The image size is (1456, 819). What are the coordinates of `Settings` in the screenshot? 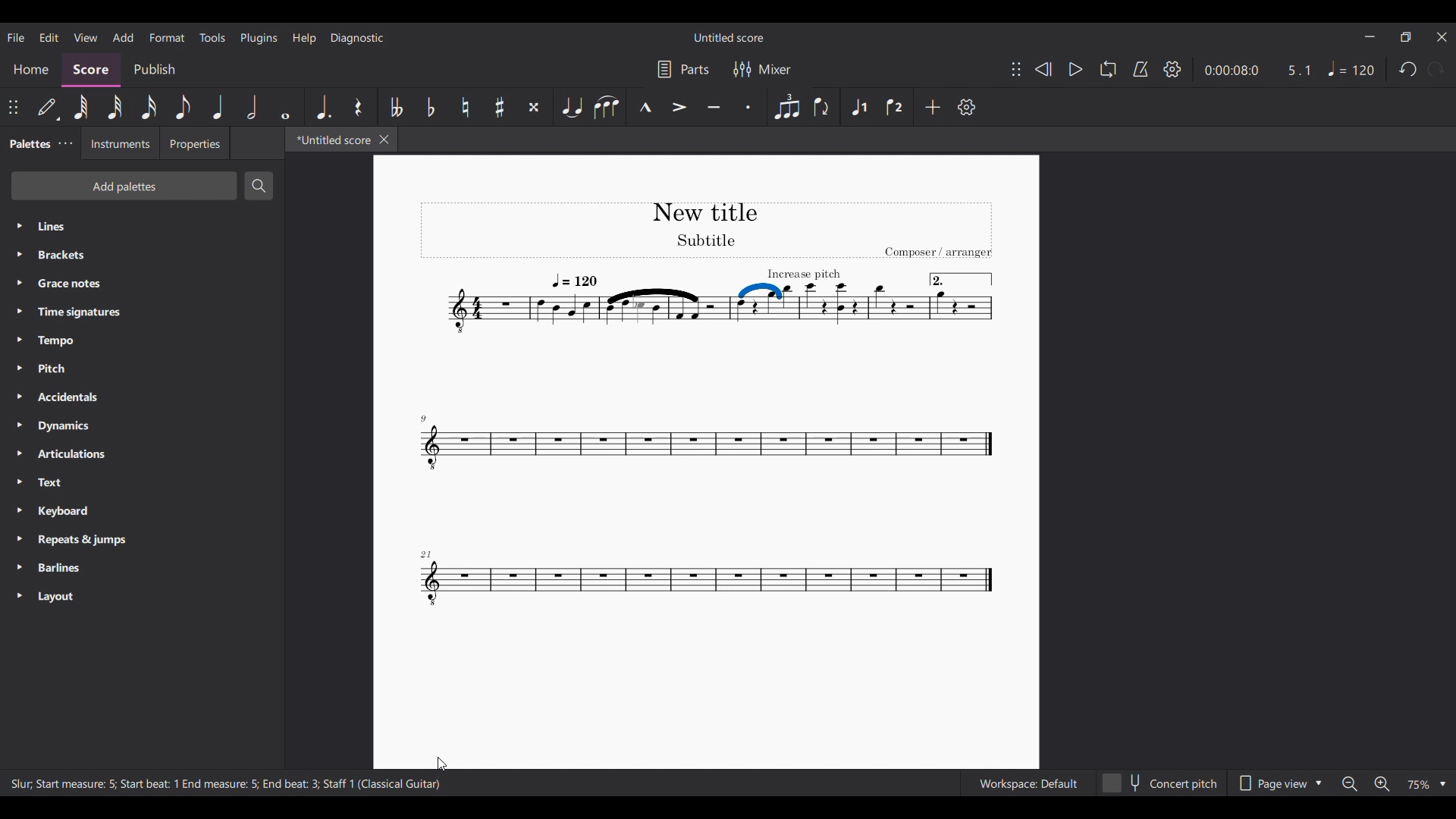 It's located at (1172, 69).